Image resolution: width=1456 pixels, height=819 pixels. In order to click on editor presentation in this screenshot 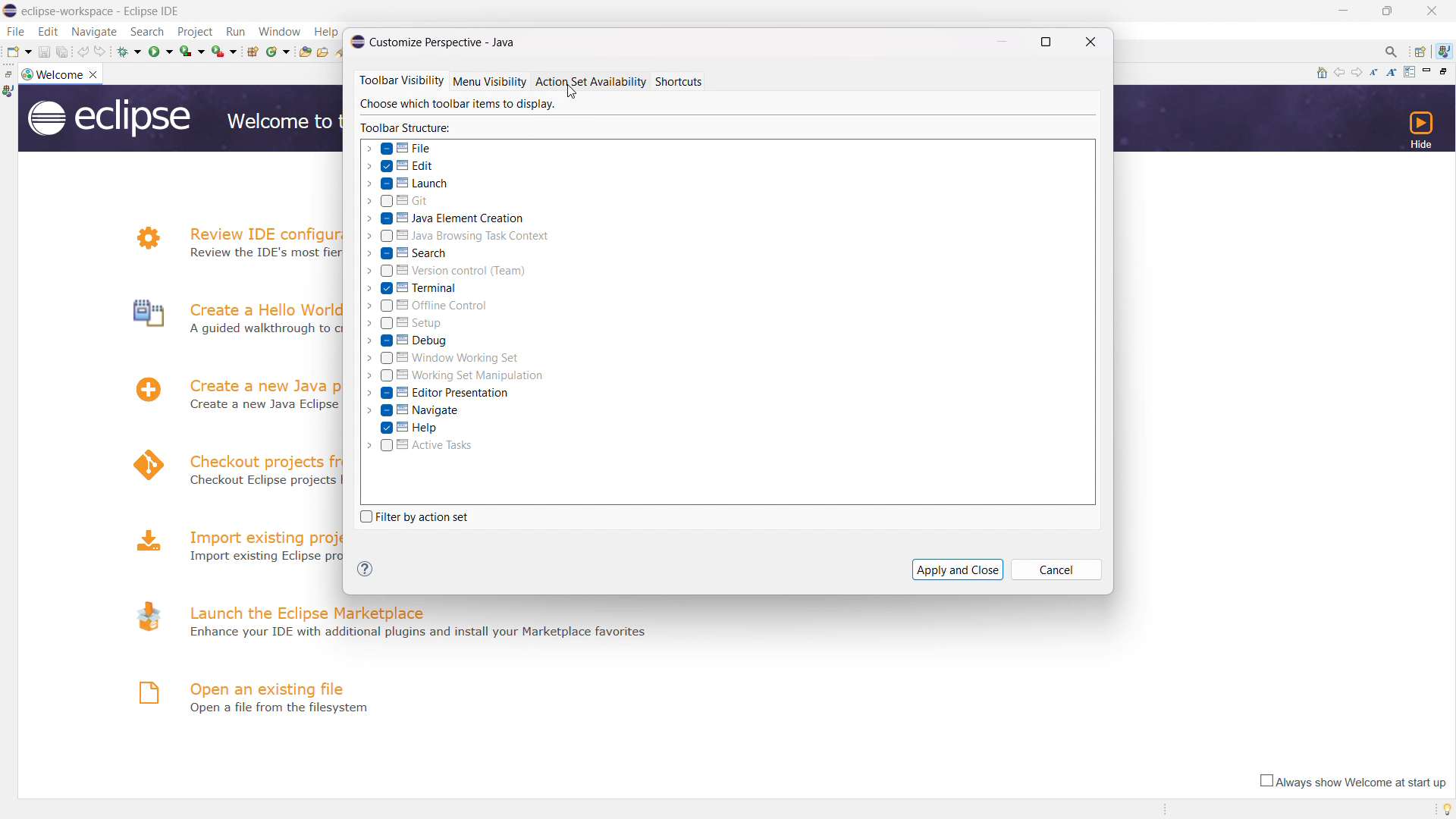, I will do `click(436, 393)`.